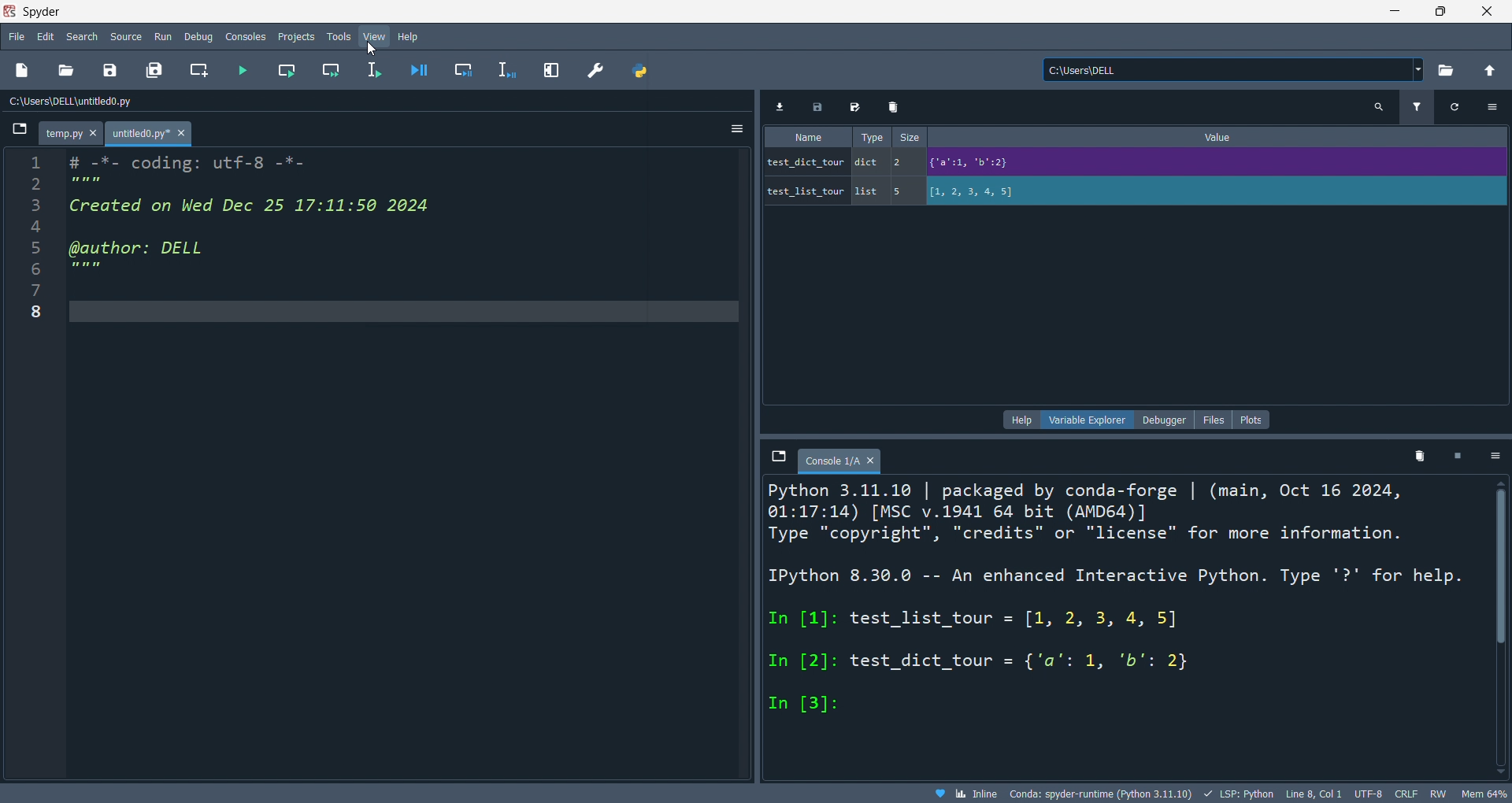  What do you see at coordinates (335, 71) in the screenshot?
I see `run cell and move` at bounding box center [335, 71].